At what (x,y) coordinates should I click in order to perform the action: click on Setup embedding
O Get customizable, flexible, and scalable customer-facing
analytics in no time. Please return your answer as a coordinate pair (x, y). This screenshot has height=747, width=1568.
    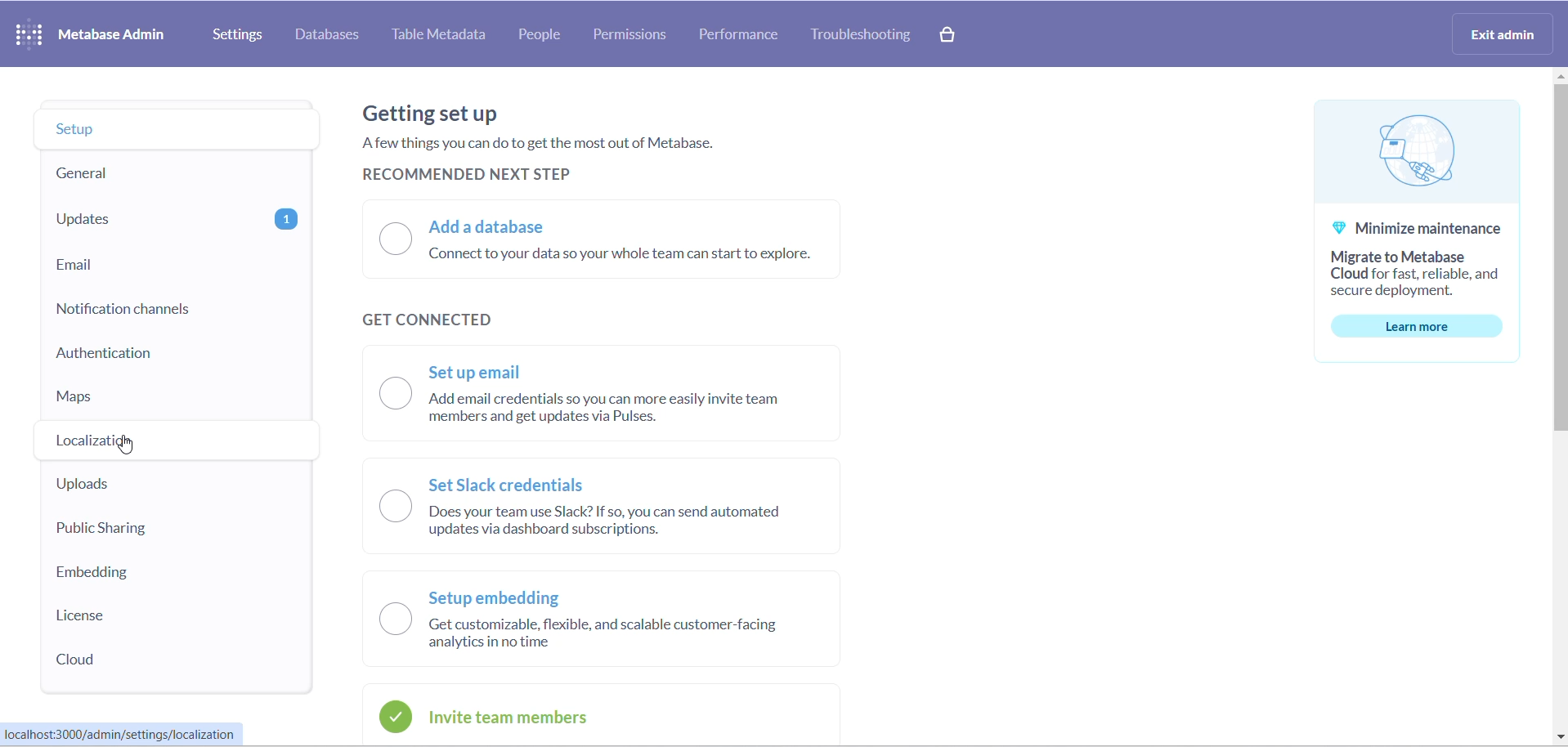
    Looking at the image, I should click on (589, 622).